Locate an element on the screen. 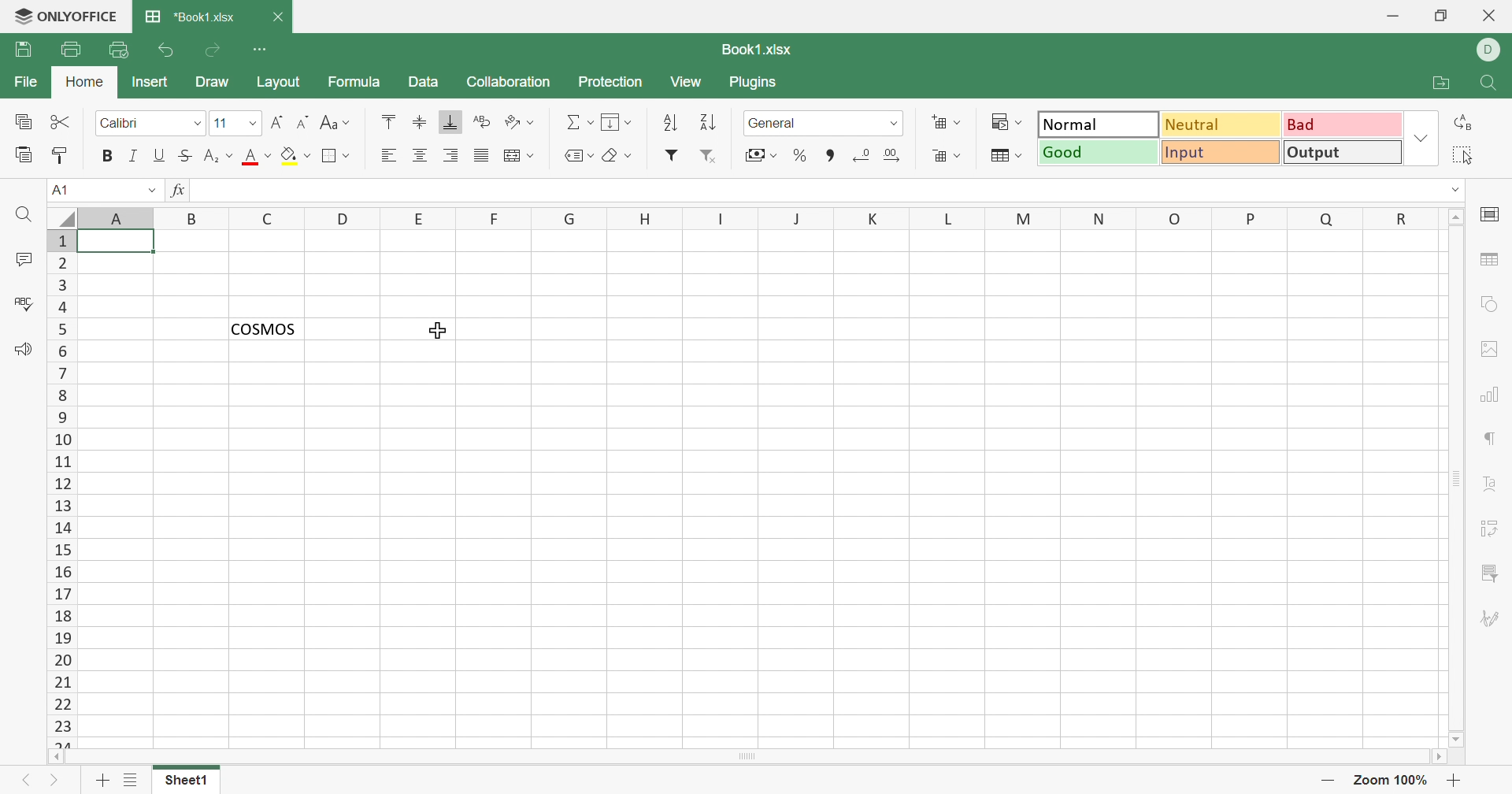  Find is located at coordinates (24, 216).